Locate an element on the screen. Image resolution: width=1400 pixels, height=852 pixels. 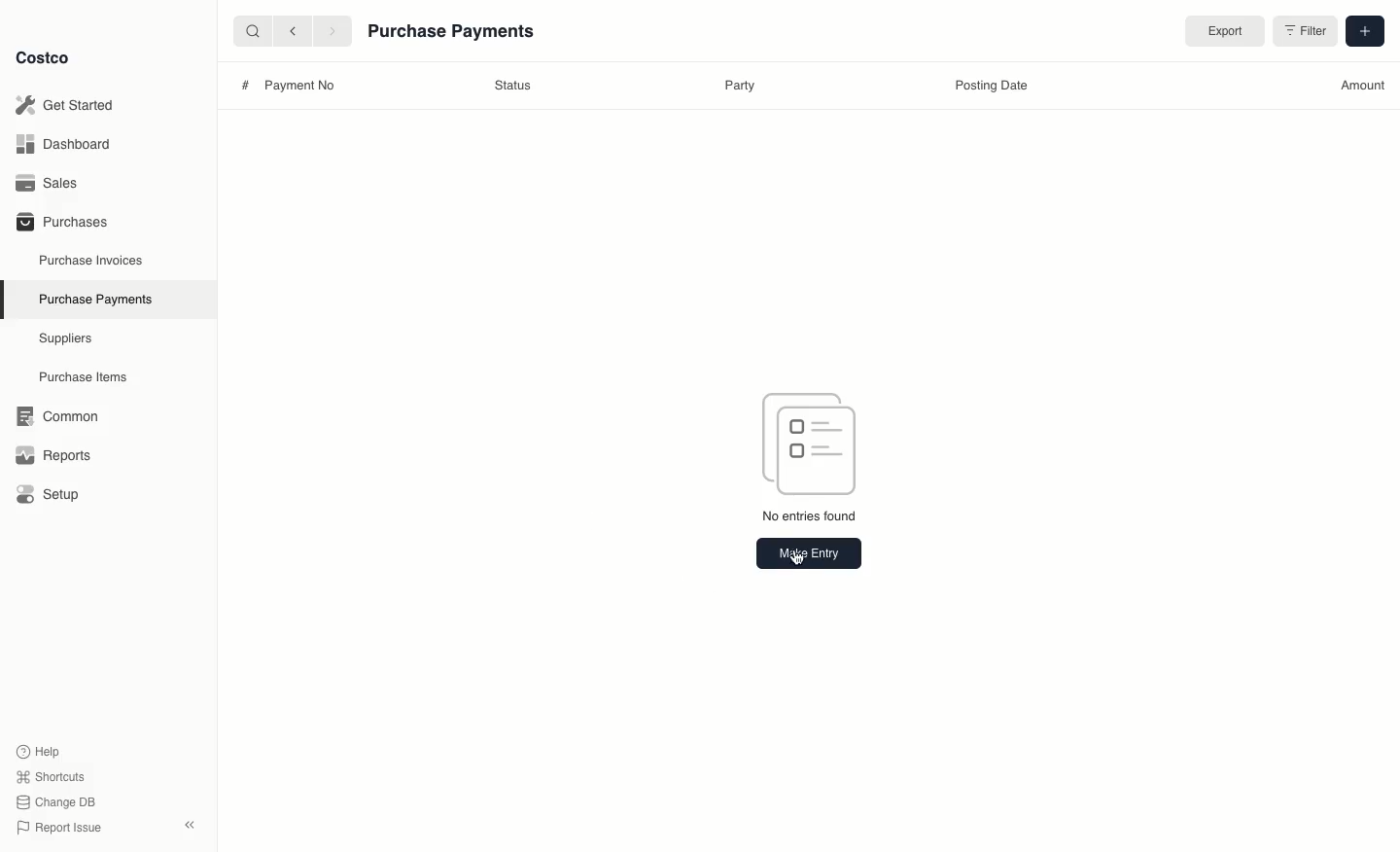
Emblem is located at coordinates (812, 442).